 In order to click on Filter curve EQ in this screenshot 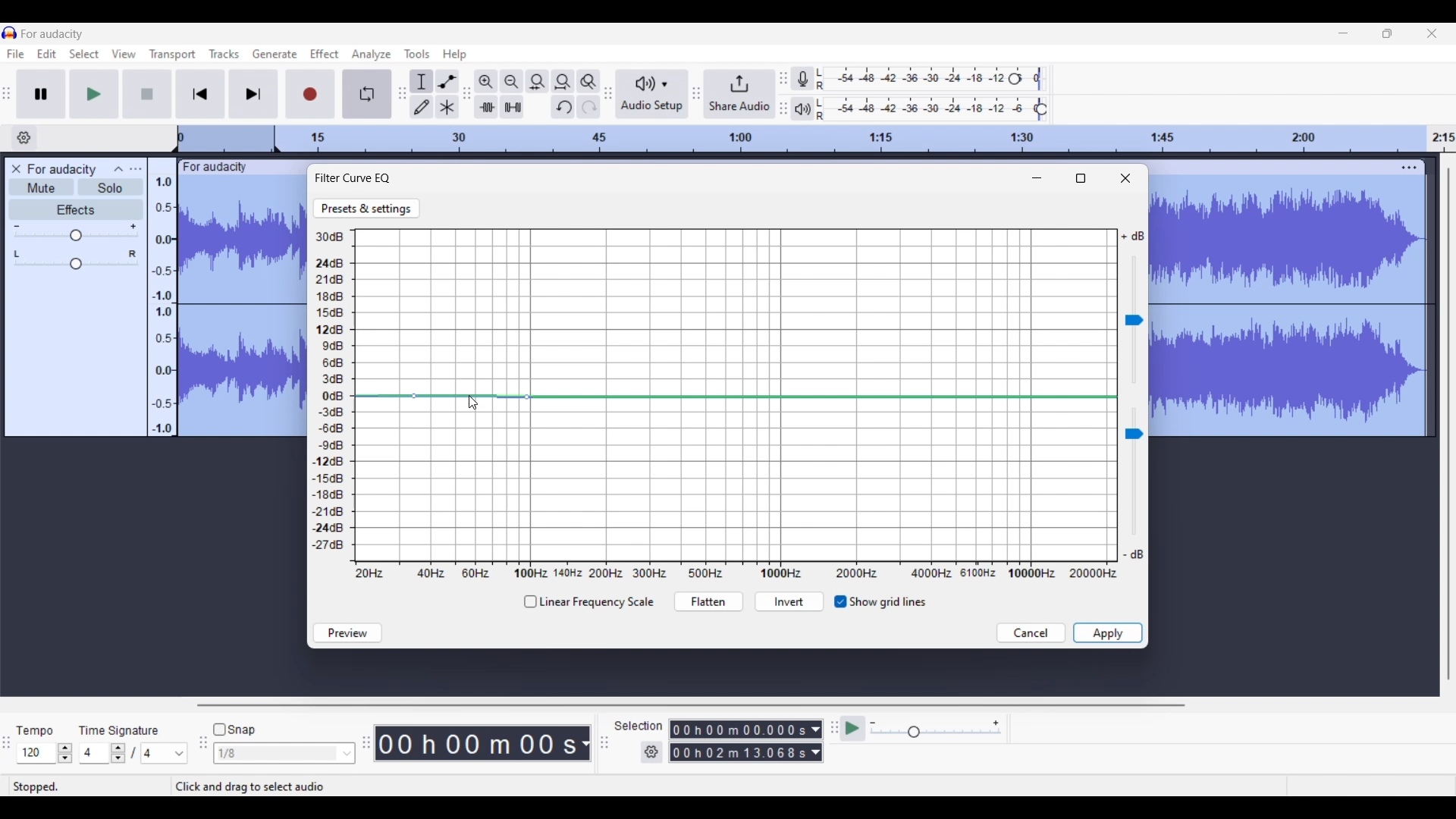, I will do `click(354, 177)`.